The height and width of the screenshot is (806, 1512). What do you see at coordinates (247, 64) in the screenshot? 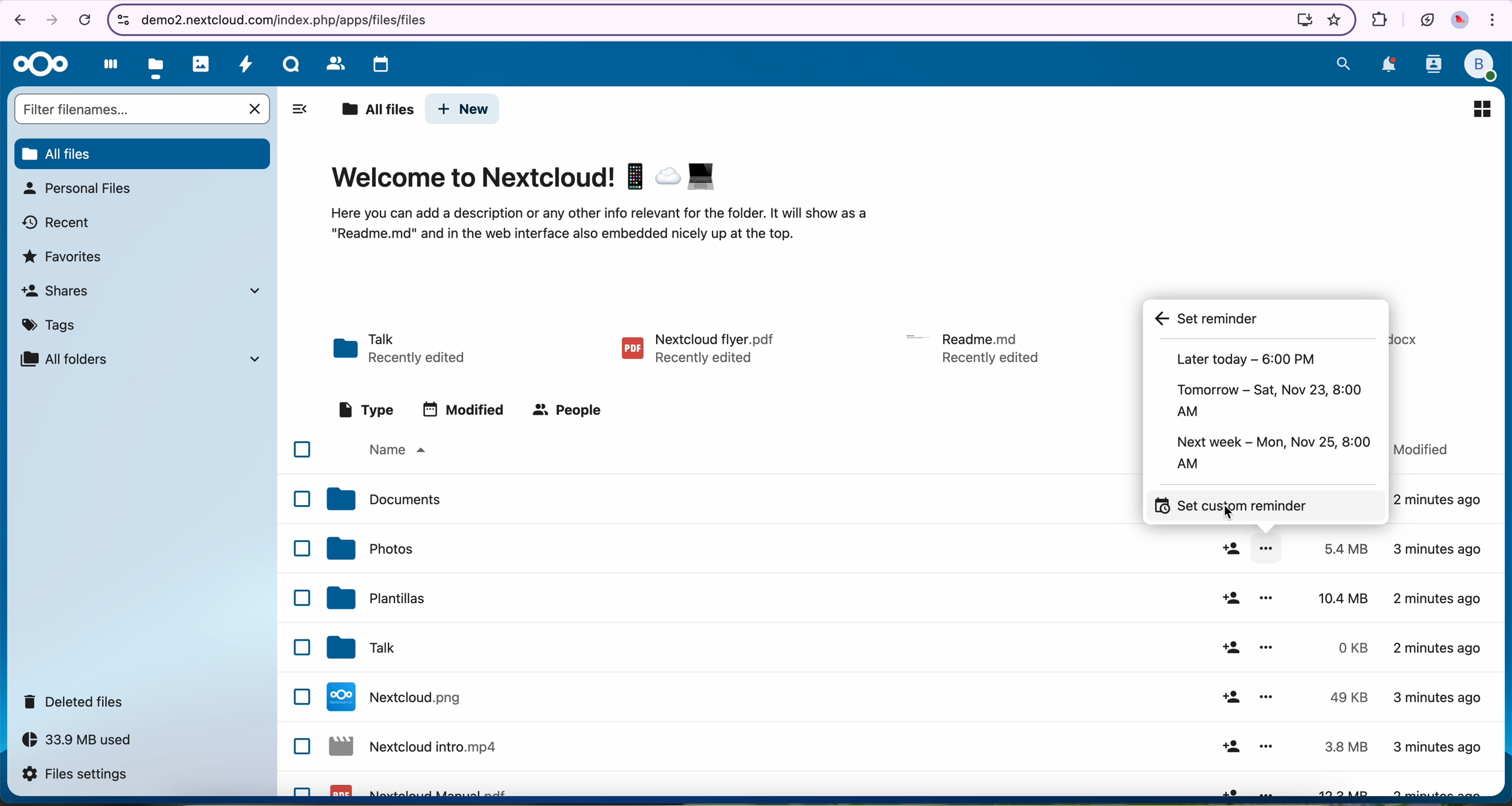
I see `activity` at bounding box center [247, 64].